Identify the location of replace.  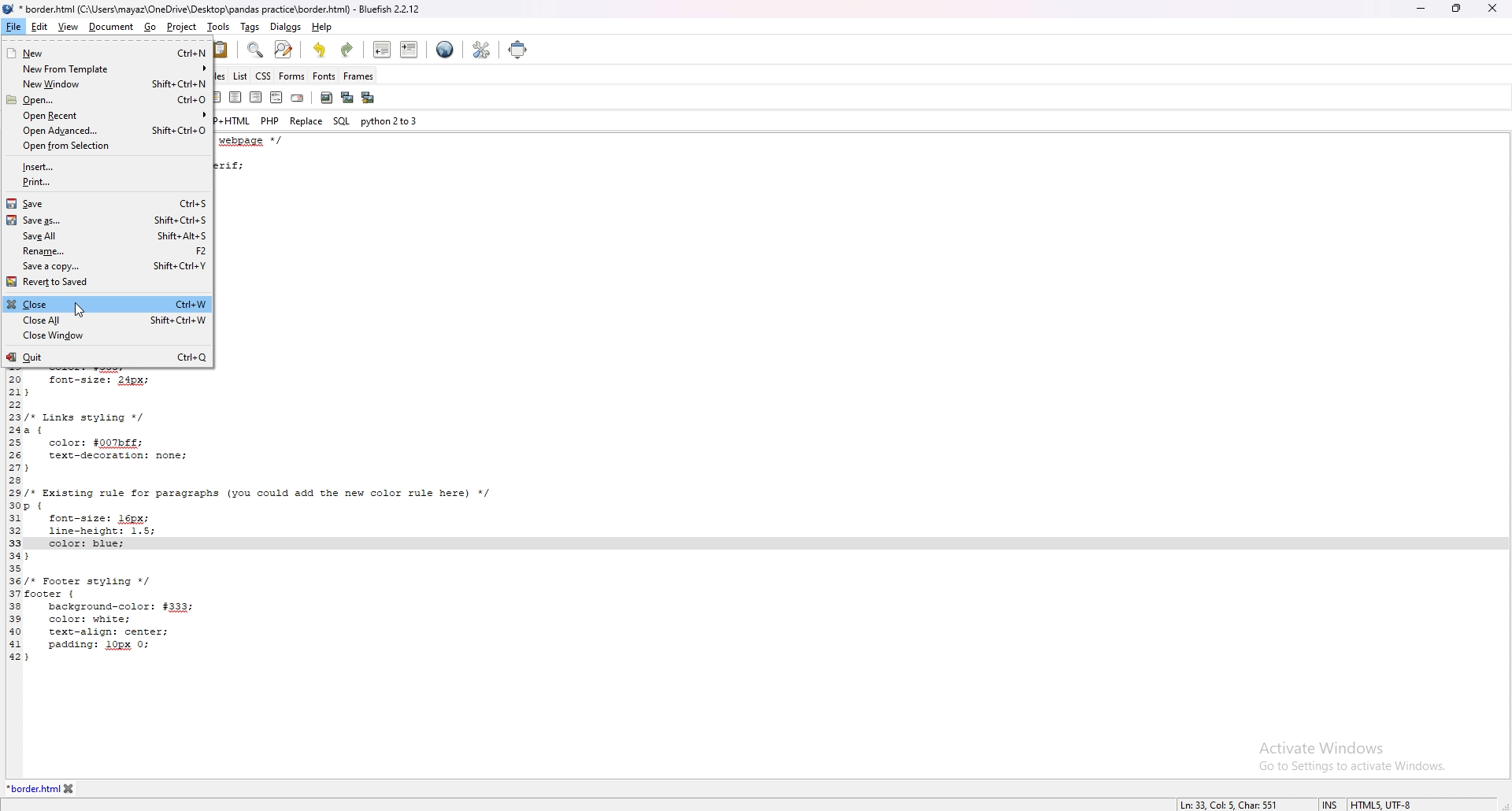
(307, 121).